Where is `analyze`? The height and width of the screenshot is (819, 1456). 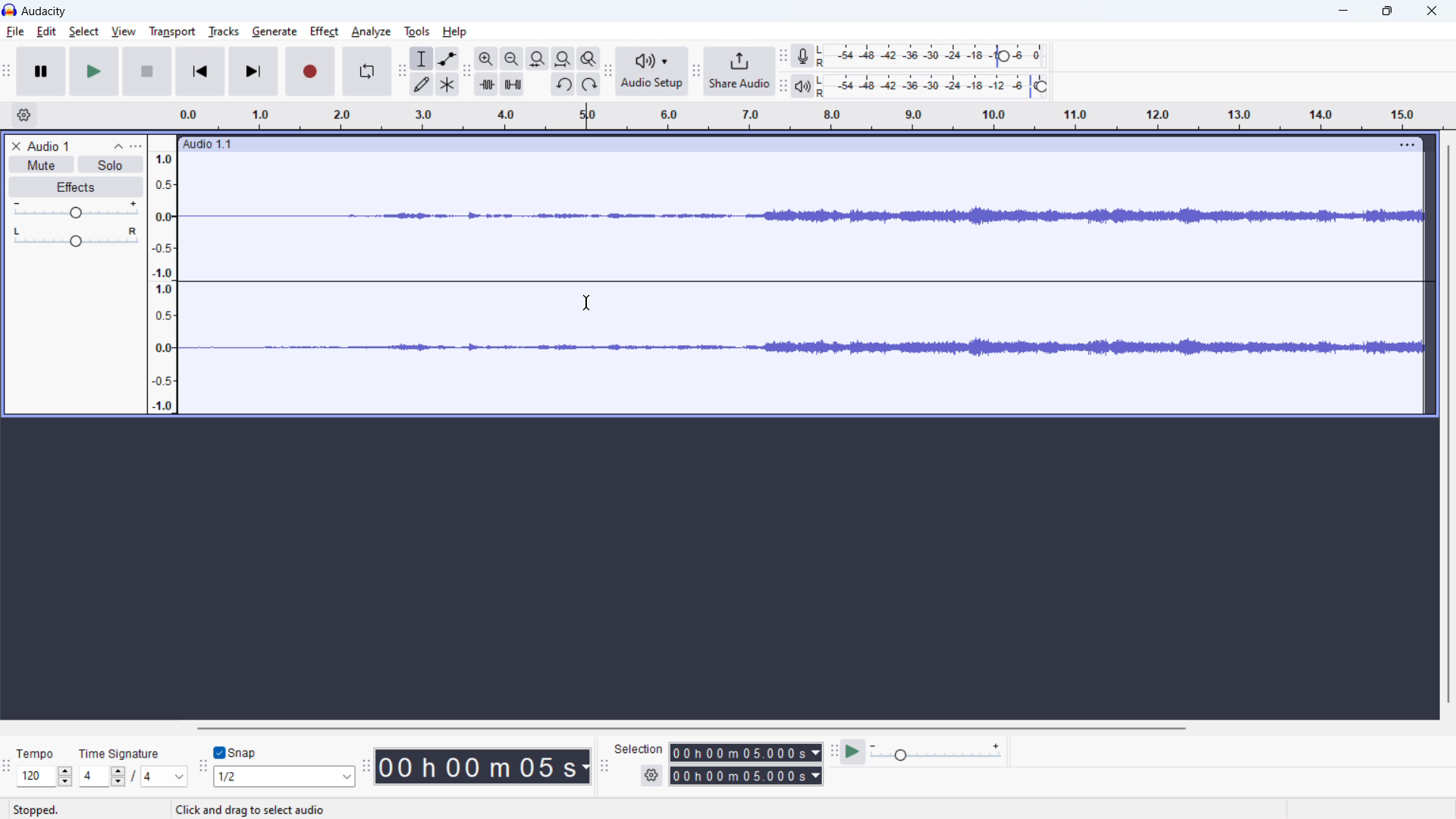
analyze is located at coordinates (370, 33).